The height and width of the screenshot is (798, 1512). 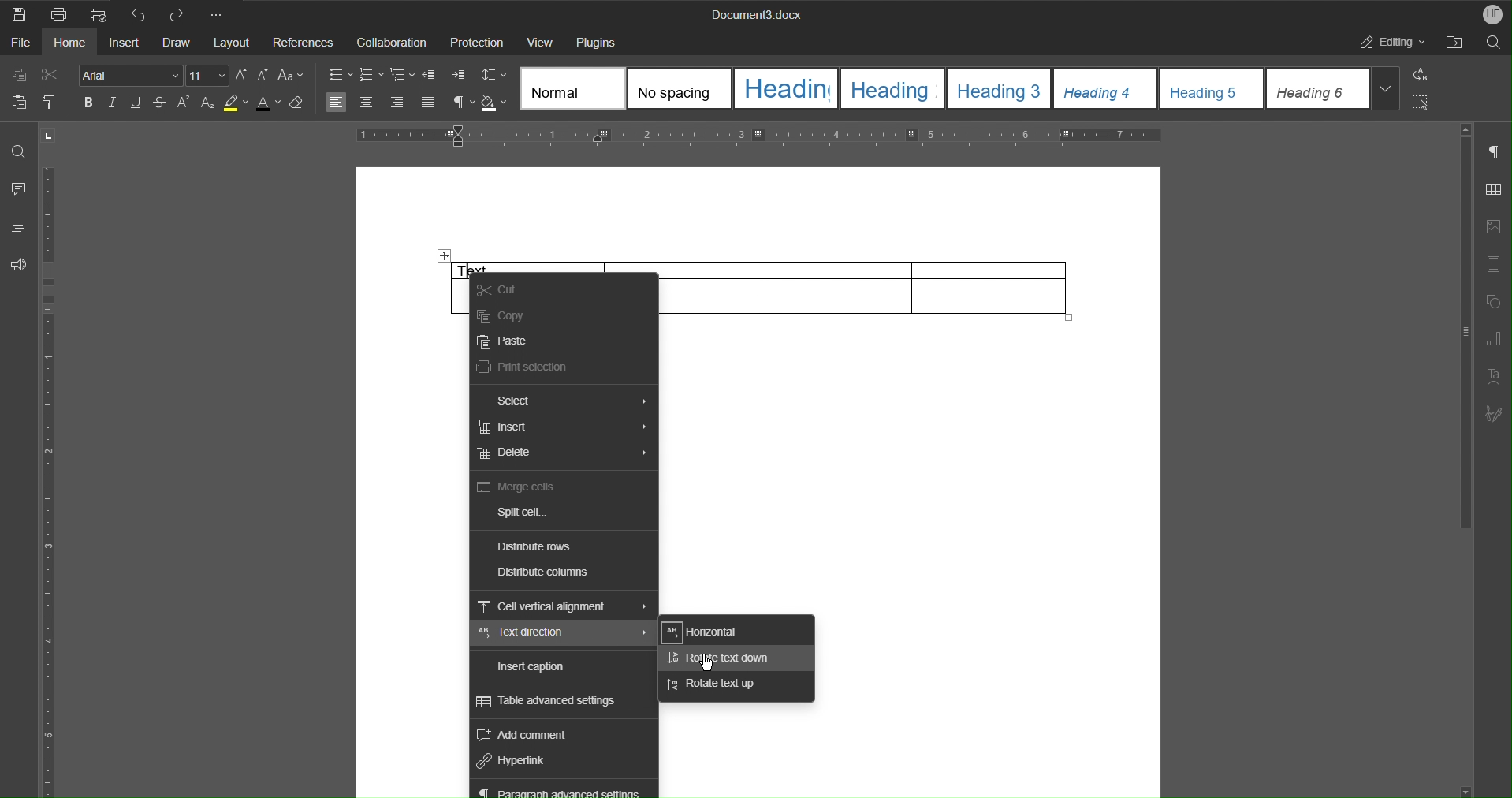 I want to click on Text Art, so click(x=1495, y=375).